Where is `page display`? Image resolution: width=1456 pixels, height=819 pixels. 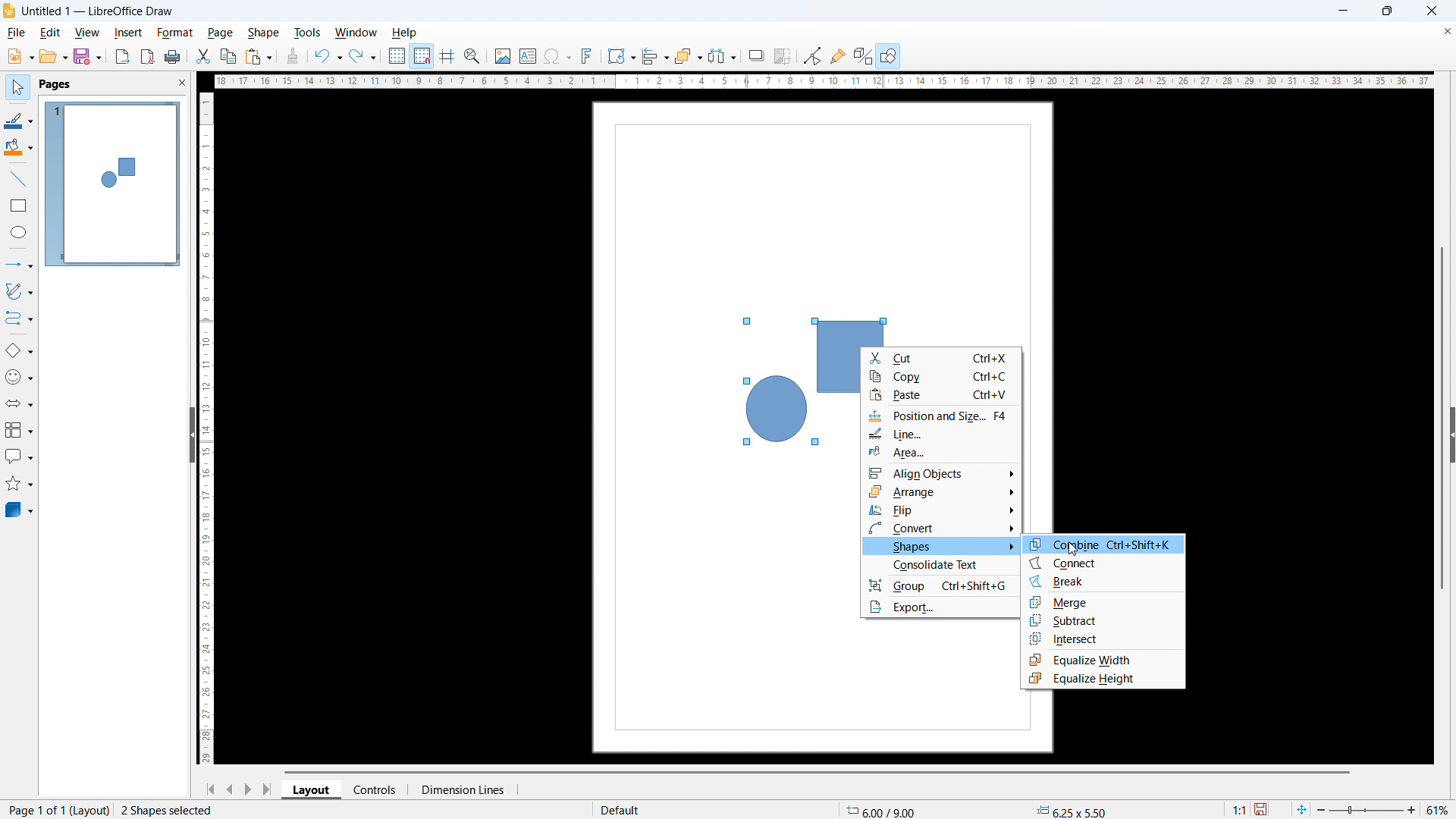
page display is located at coordinates (112, 184).